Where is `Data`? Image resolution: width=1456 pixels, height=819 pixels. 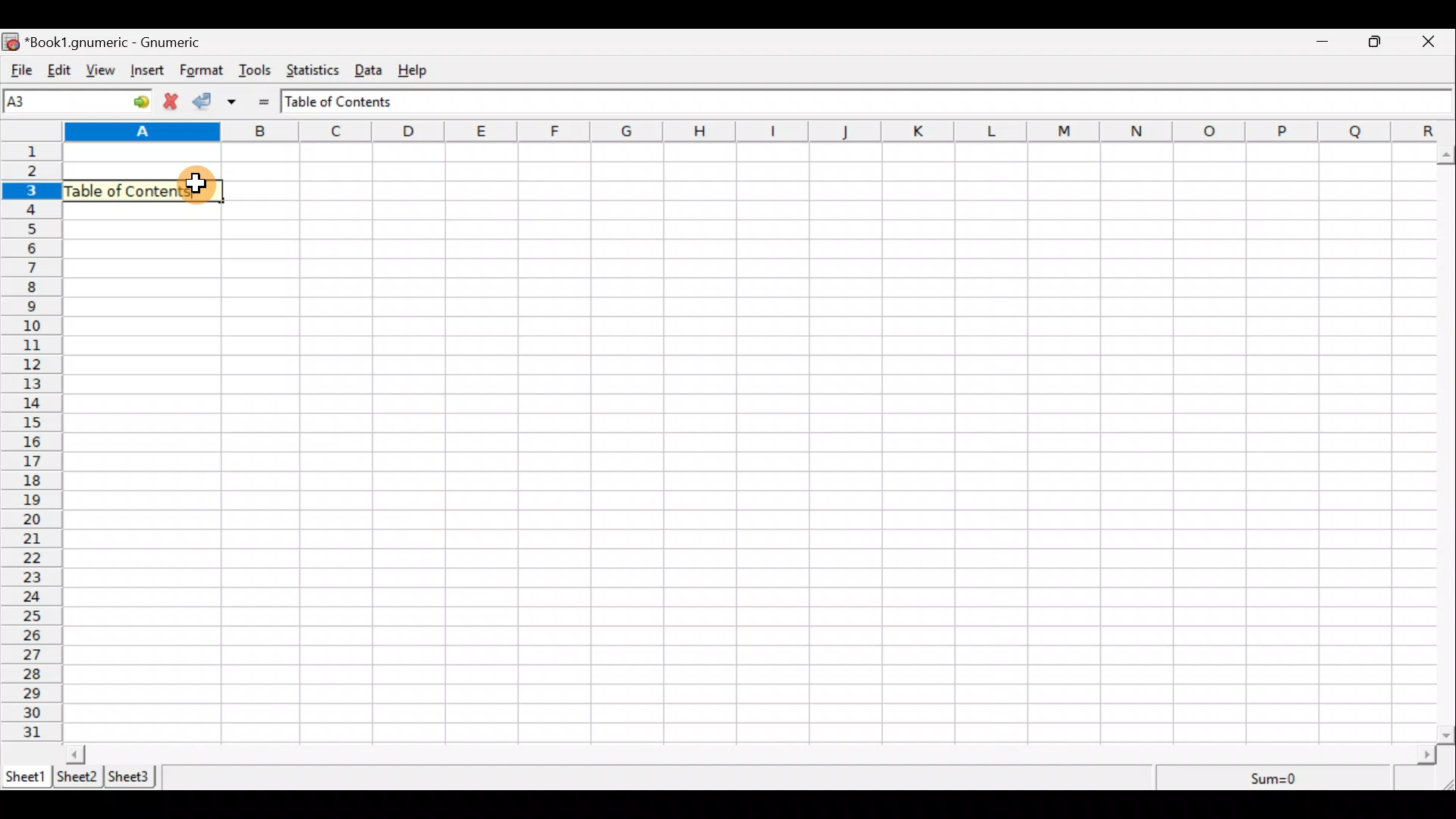 Data is located at coordinates (373, 71).